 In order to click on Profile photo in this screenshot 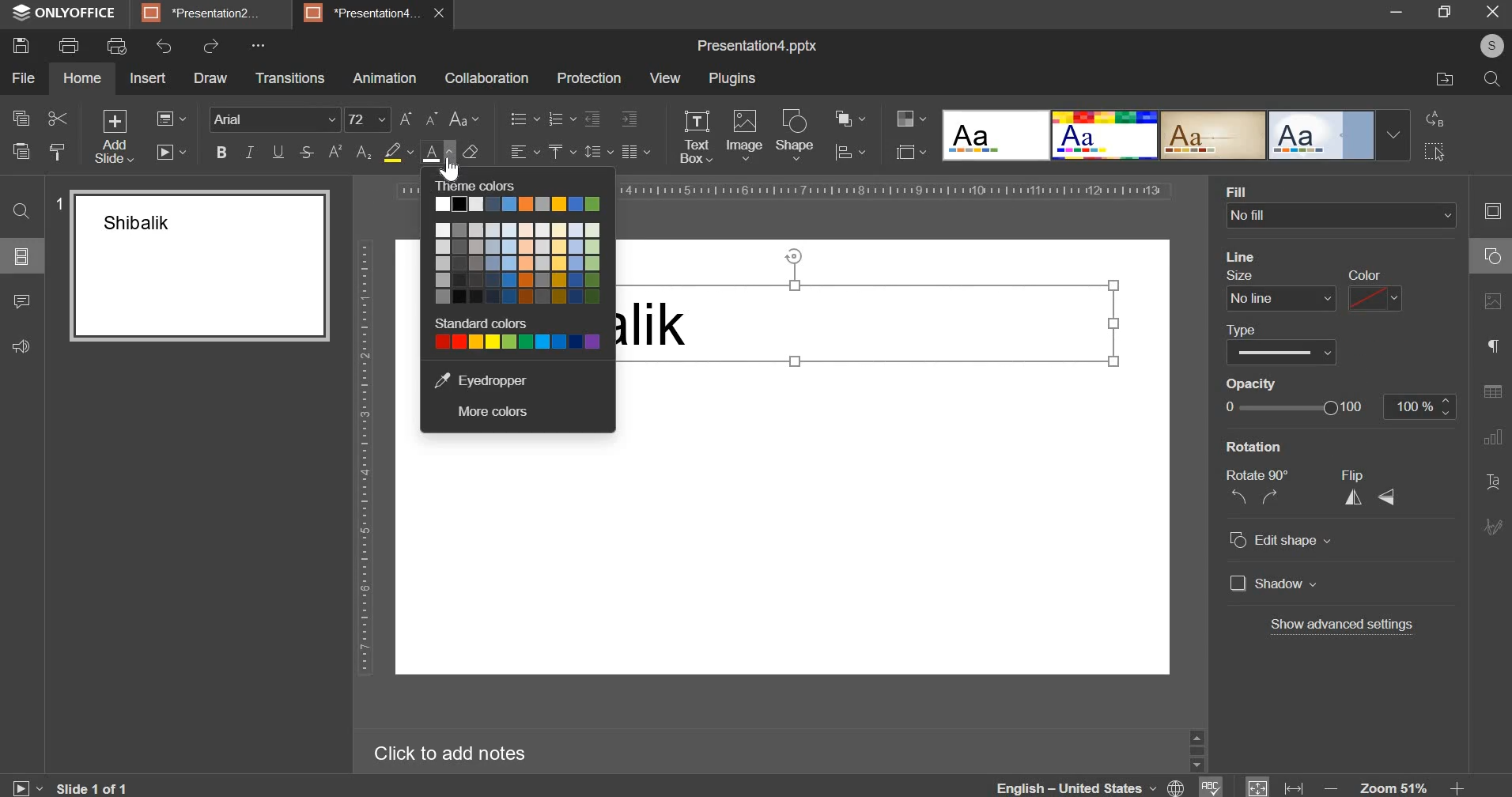, I will do `click(1486, 46)`.